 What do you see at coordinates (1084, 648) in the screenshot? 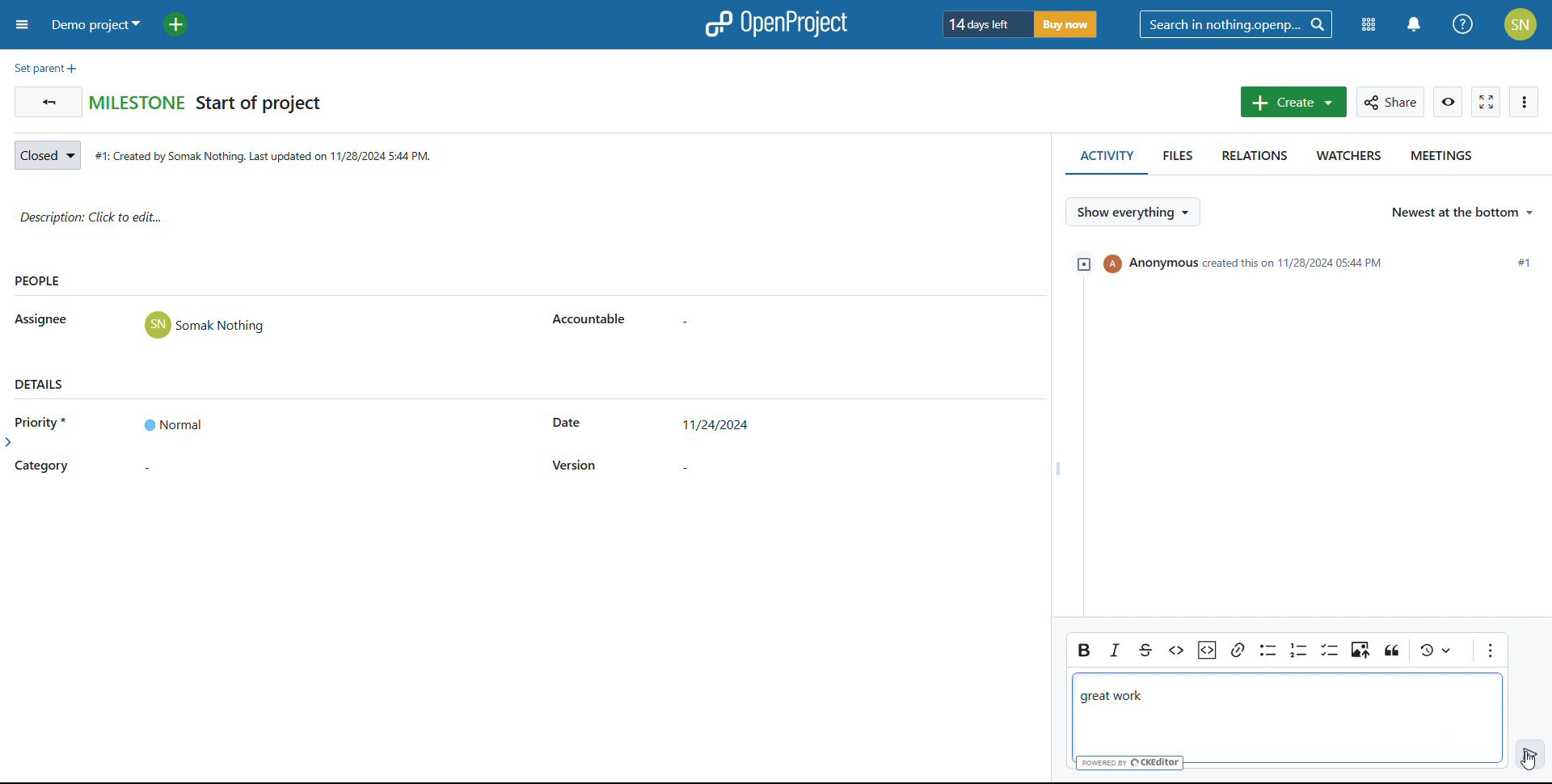
I see `bold` at bounding box center [1084, 648].